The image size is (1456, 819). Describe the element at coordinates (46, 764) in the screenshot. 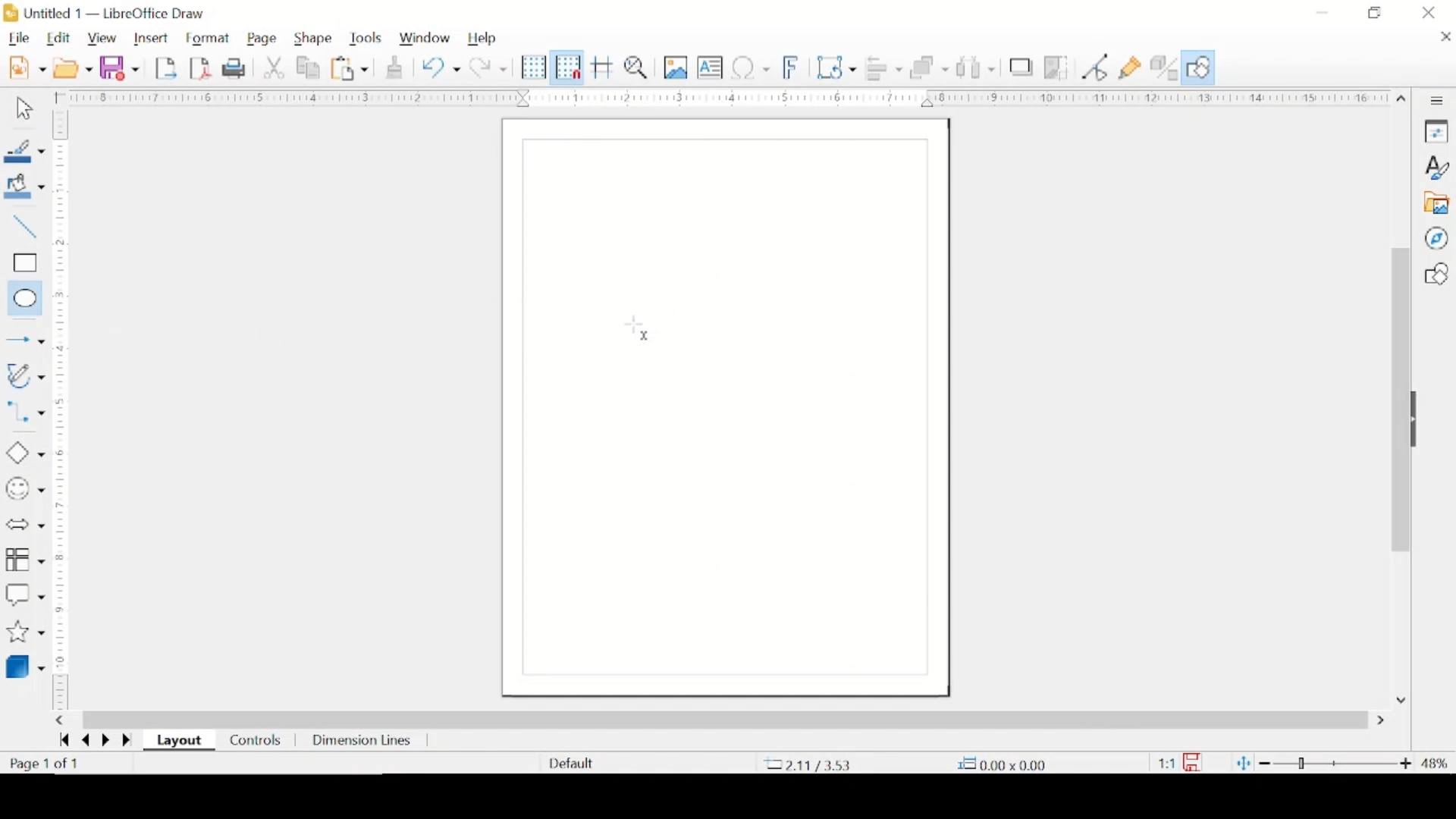

I see `page count` at that location.